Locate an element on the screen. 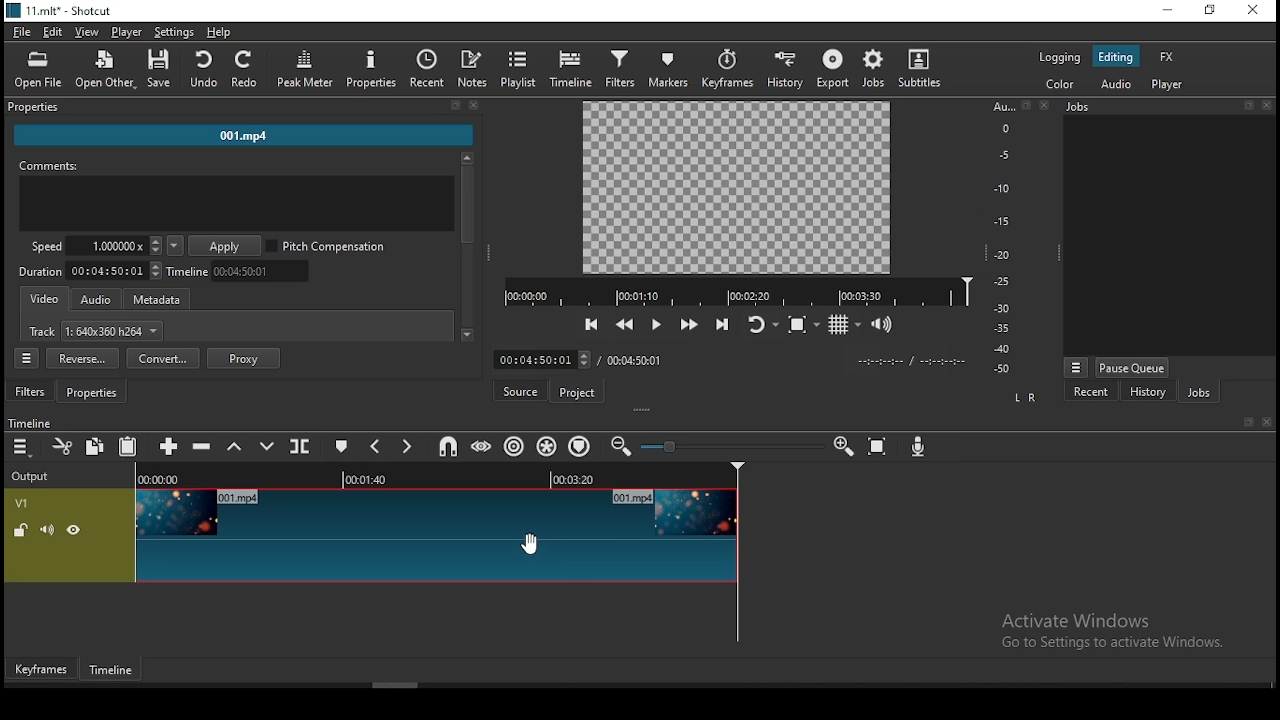 This screenshot has height=720, width=1280. restore is located at coordinates (1209, 11).